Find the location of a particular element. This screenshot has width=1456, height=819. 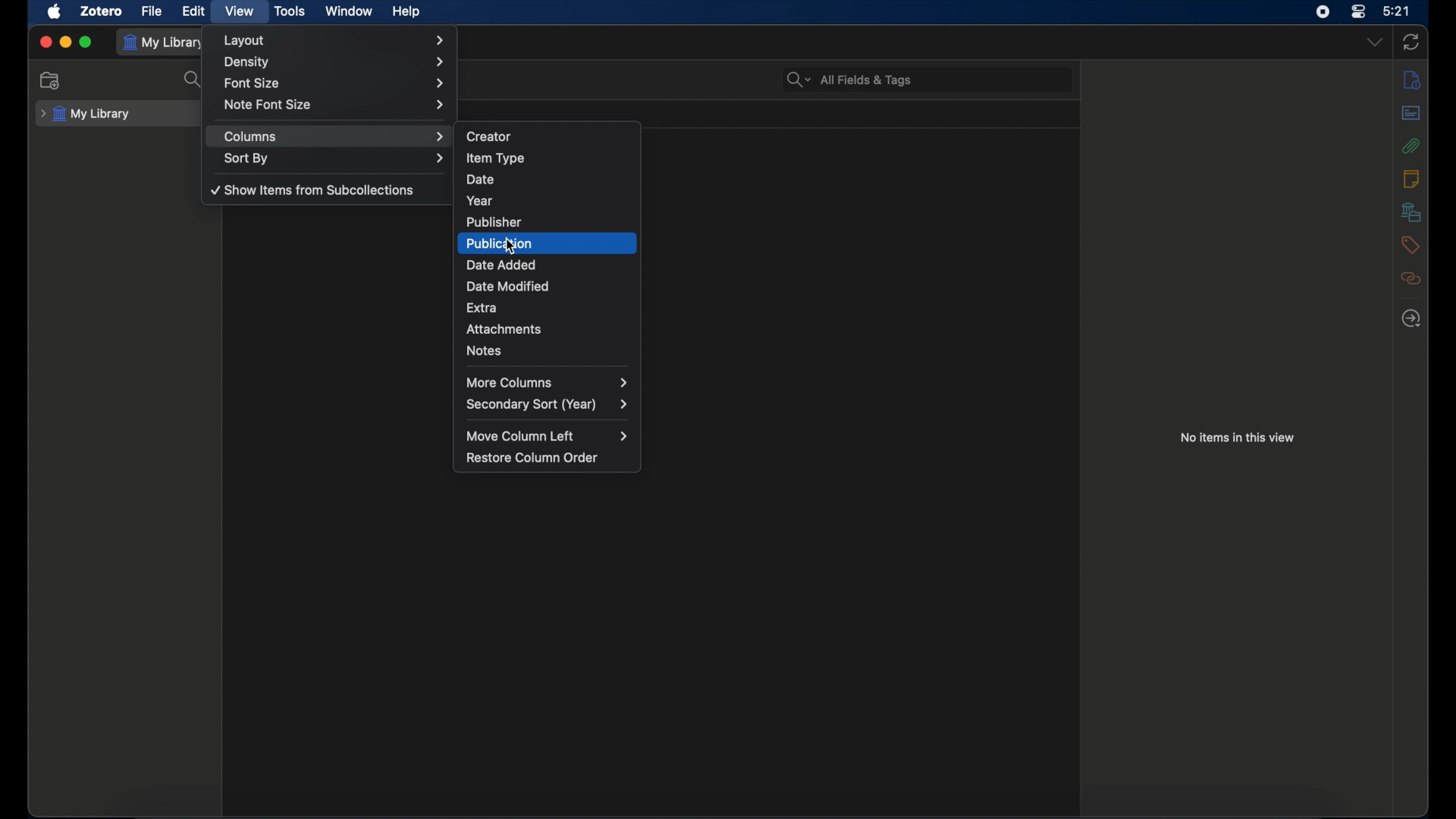

creator is located at coordinates (551, 137).